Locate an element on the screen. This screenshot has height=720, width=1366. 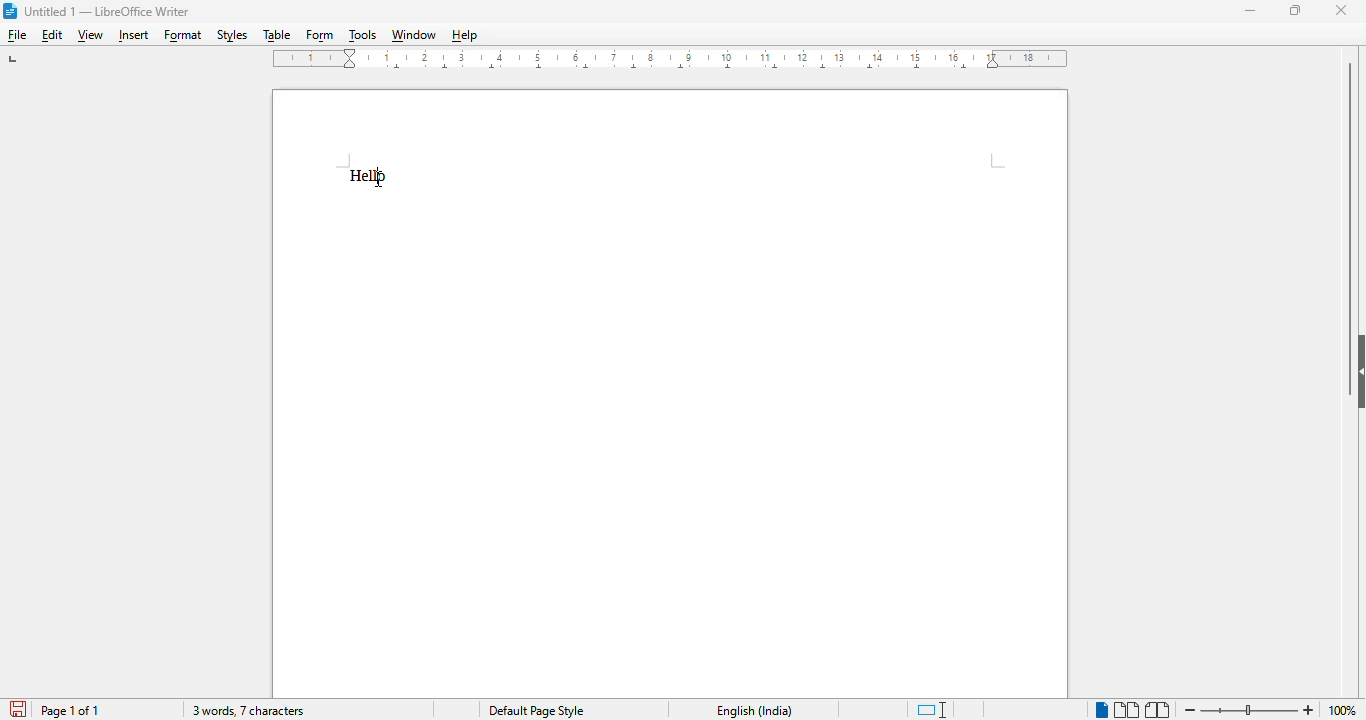
single-page view is located at coordinates (1101, 711).